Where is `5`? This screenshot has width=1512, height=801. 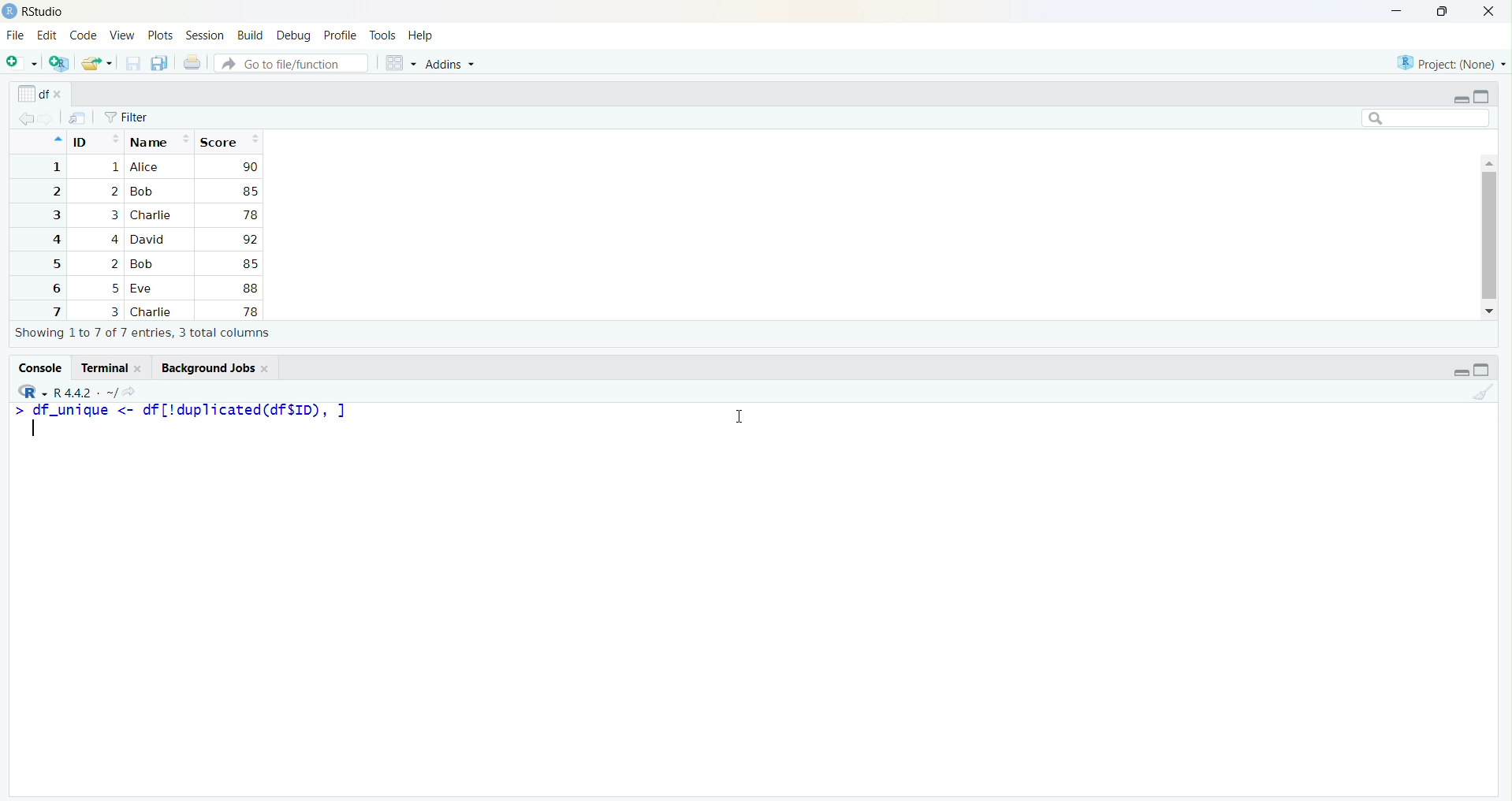
5 is located at coordinates (116, 289).